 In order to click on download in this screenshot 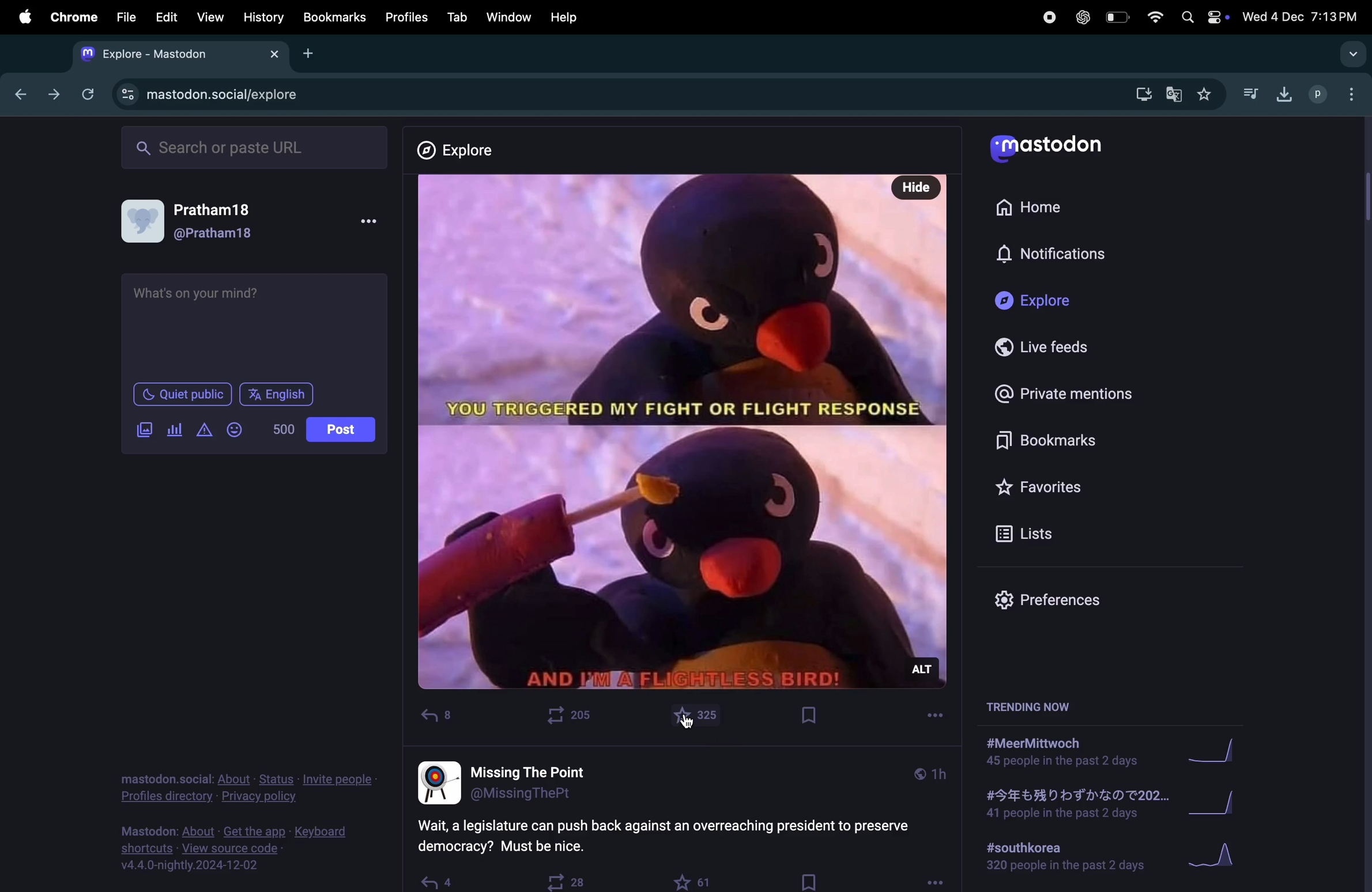, I will do `click(1283, 93)`.